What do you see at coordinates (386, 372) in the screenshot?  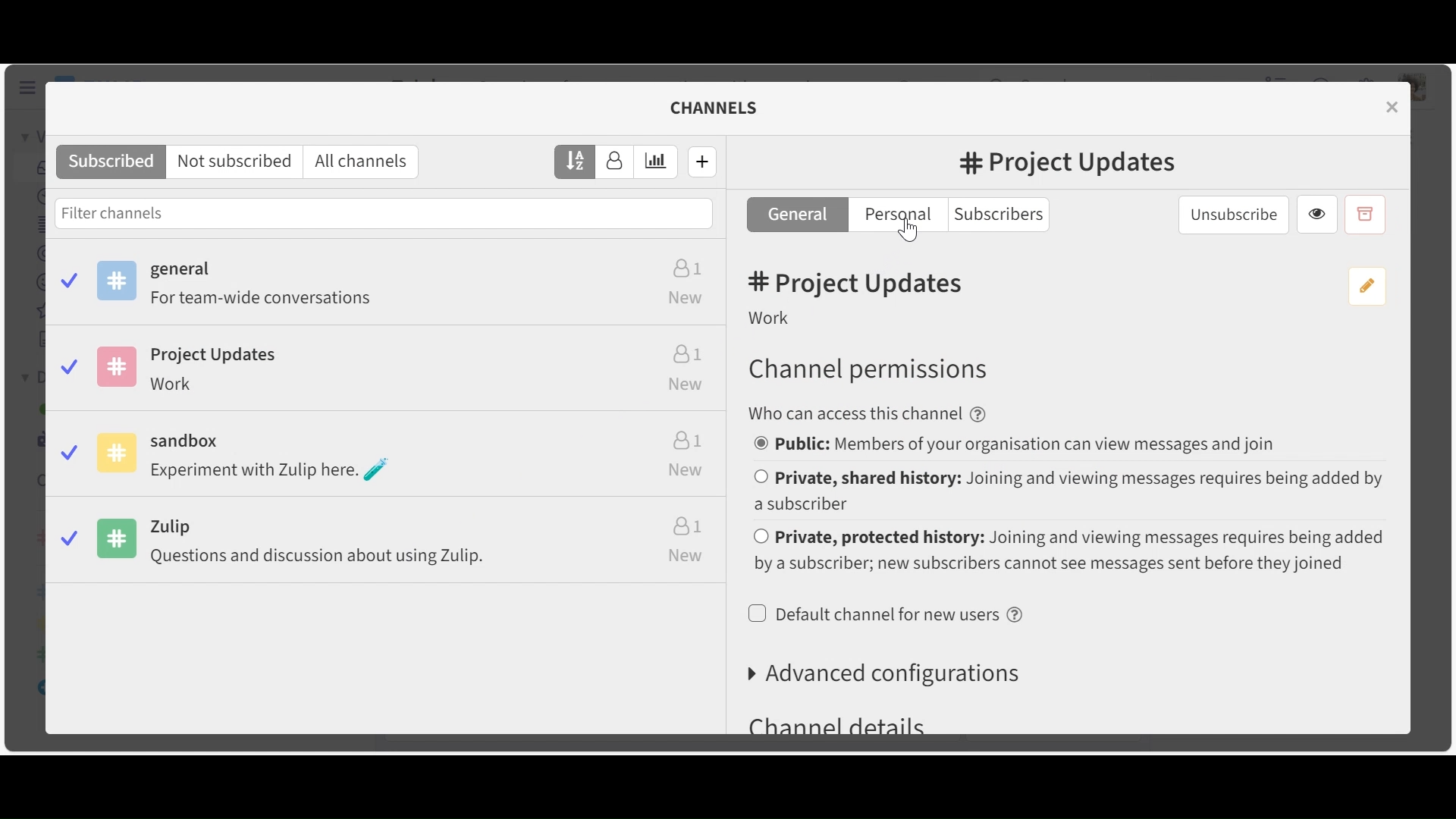 I see `Project Updates` at bounding box center [386, 372].